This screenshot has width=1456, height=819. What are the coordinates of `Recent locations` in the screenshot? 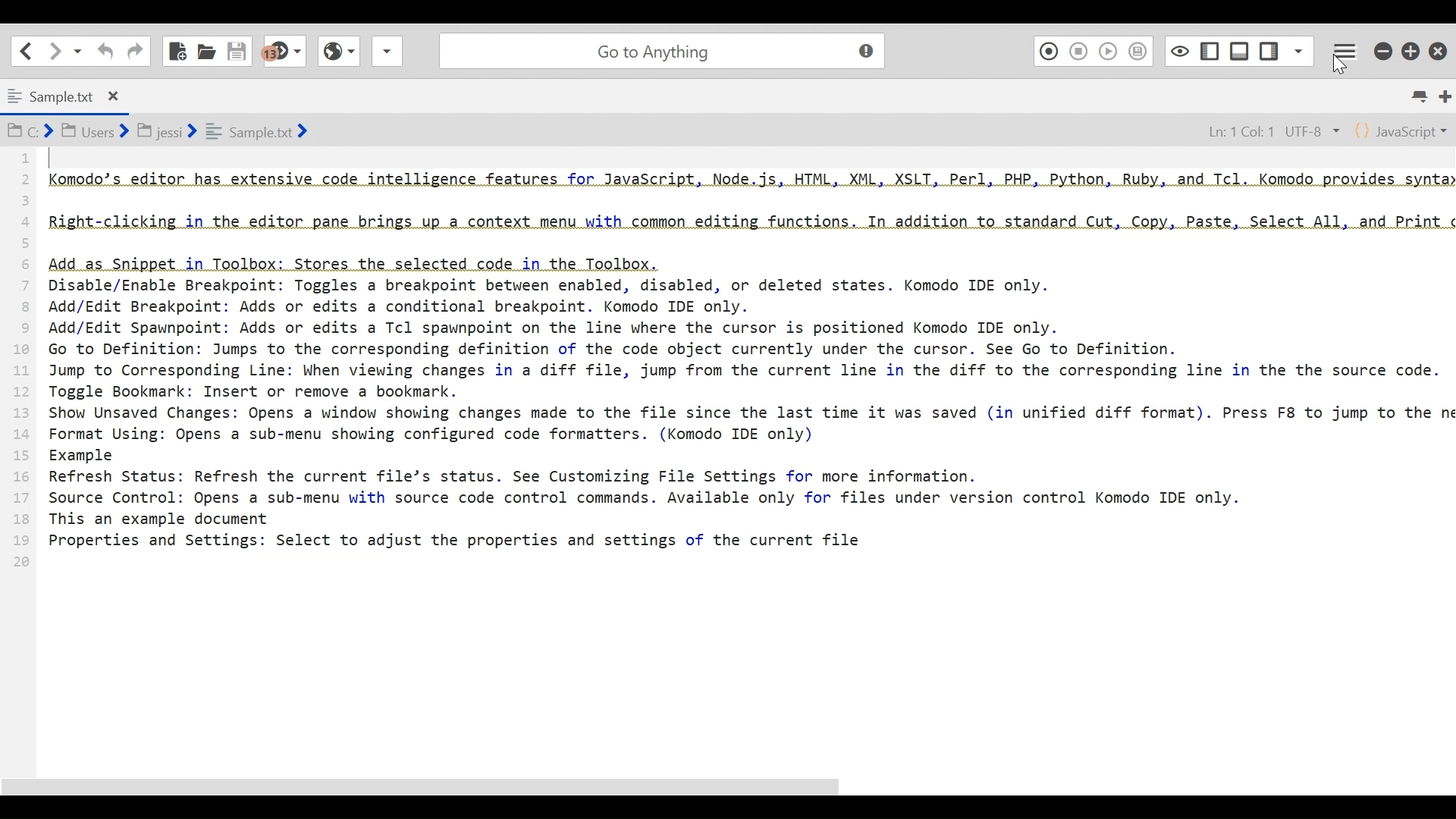 It's located at (78, 52).